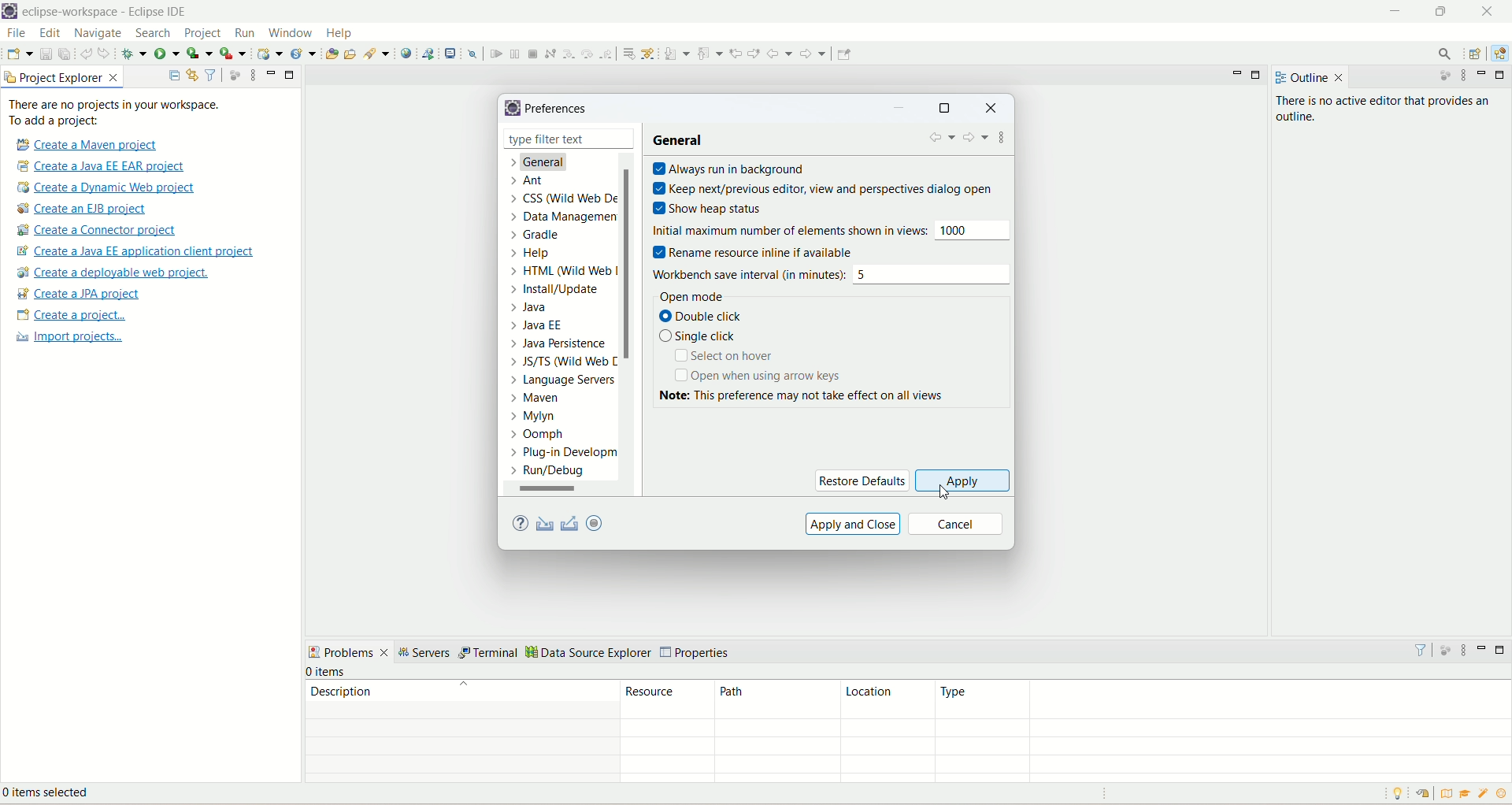  What do you see at coordinates (708, 317) in the screenshot?
I see `double click` at bounding box center [708, 317].